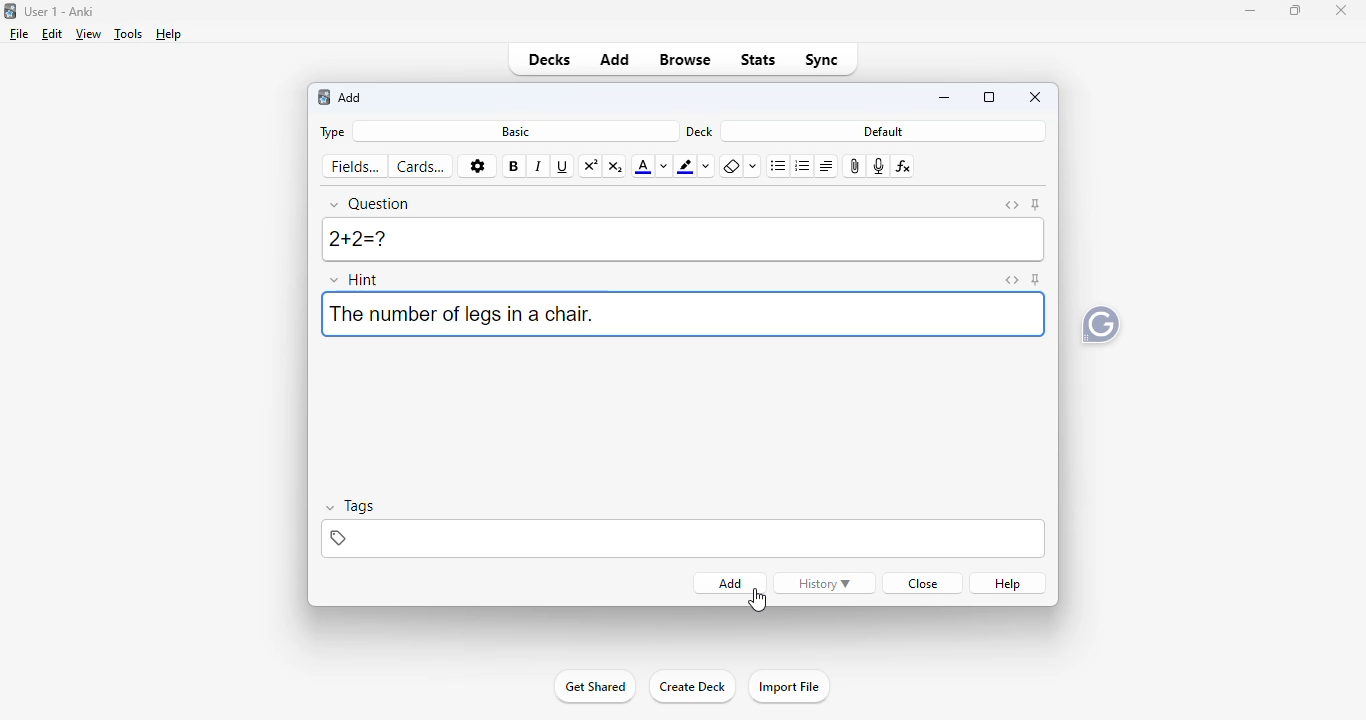 The image size is (1366, 720). Describe the element at coordinates (707, 167) in the screenshot. I see `change color` at that location.